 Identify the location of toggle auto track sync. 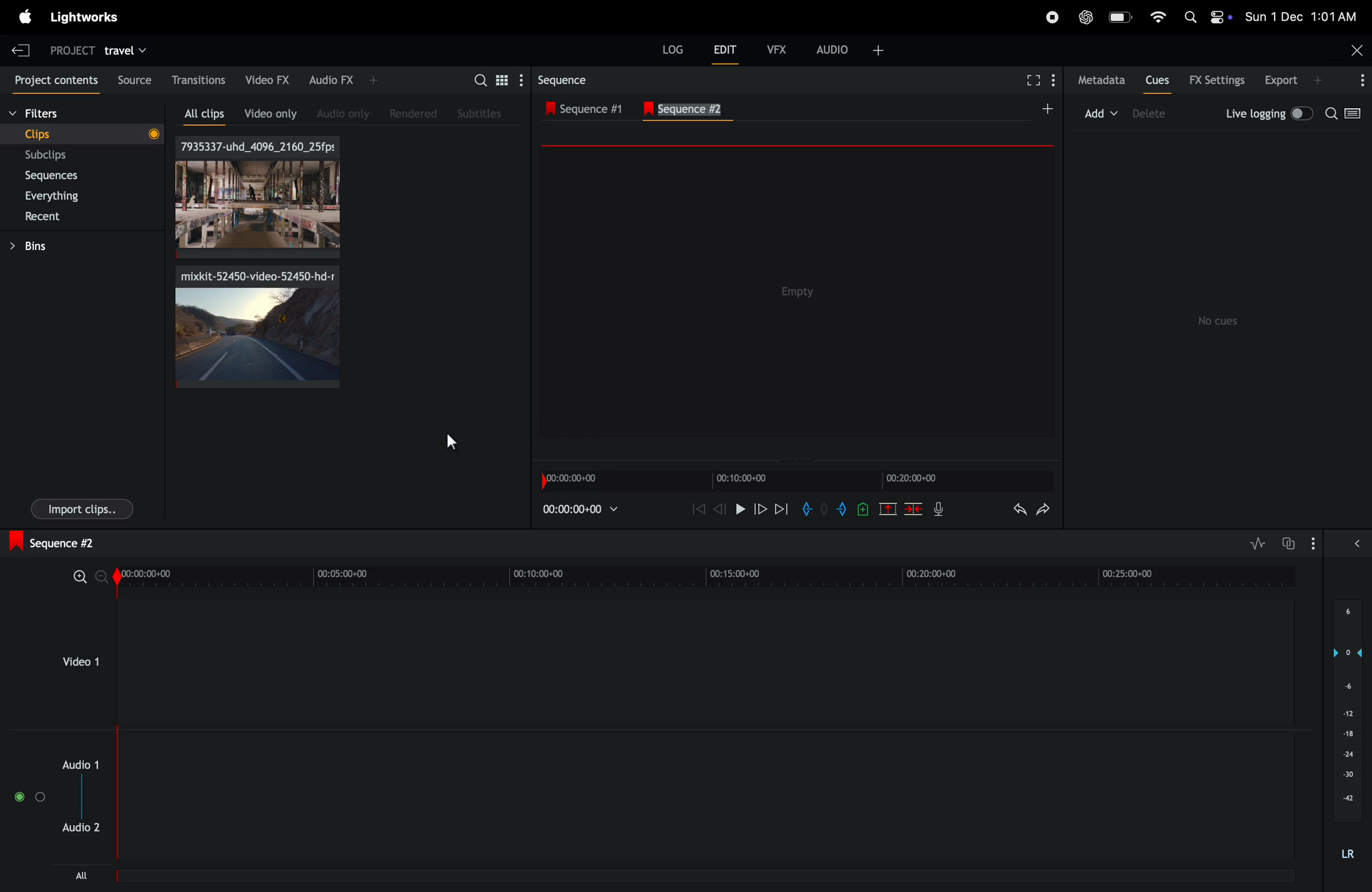
(1289, 542).